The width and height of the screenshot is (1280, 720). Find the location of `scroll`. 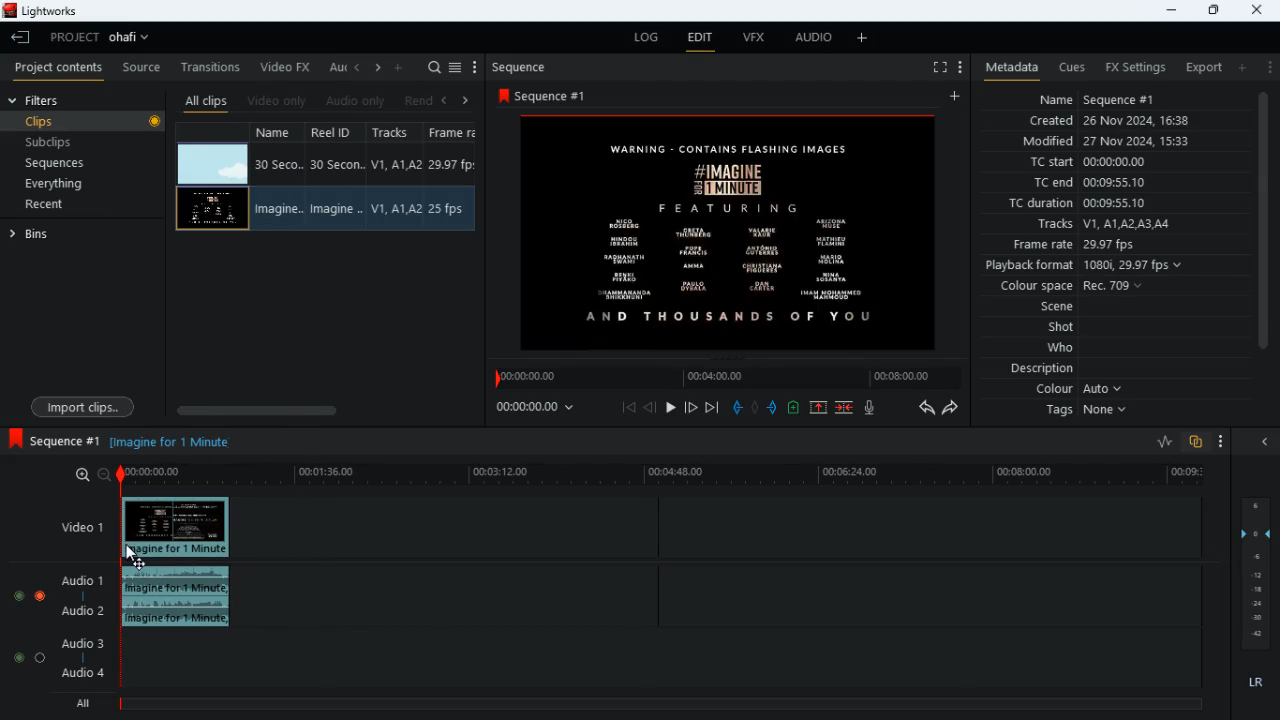

scroll is located at coordinates (318, 408).